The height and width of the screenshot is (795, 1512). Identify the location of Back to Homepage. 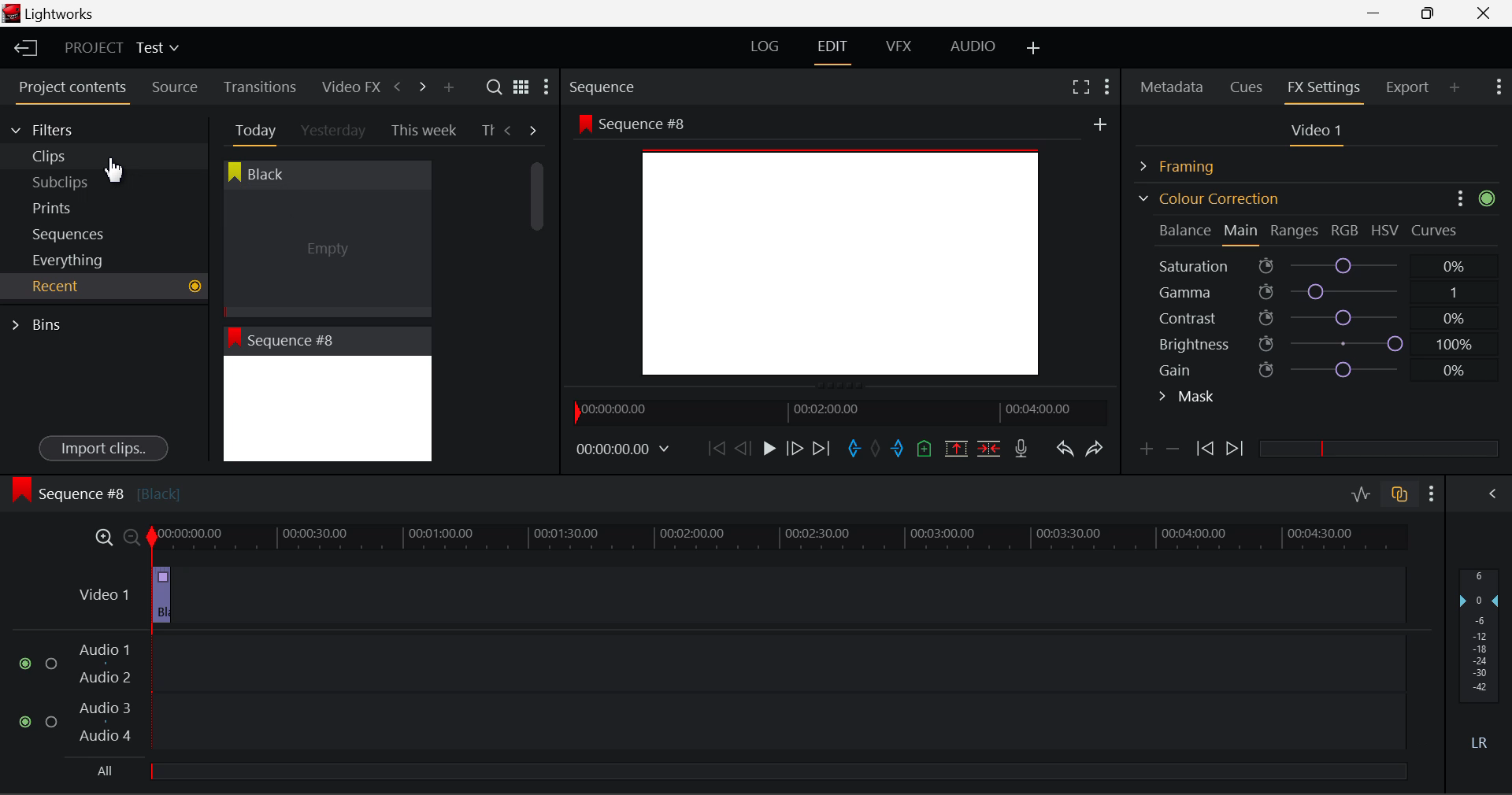
(20, 49).